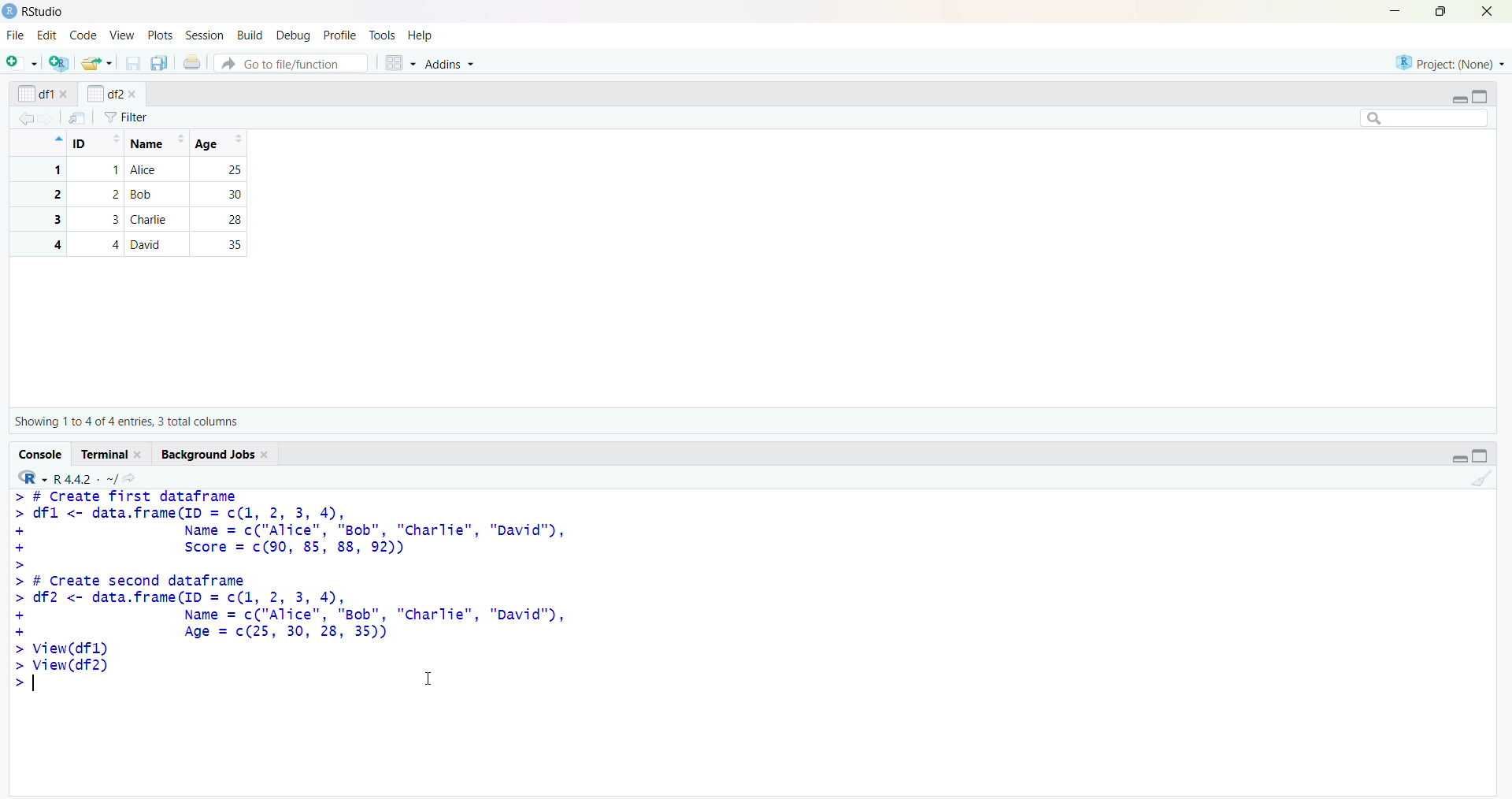 Image resolution: width=1512 pixels, height=799 pixels. Describe the element at coordinates (135, 244) in the screenshot. I see `4 4 David 35` at that location.